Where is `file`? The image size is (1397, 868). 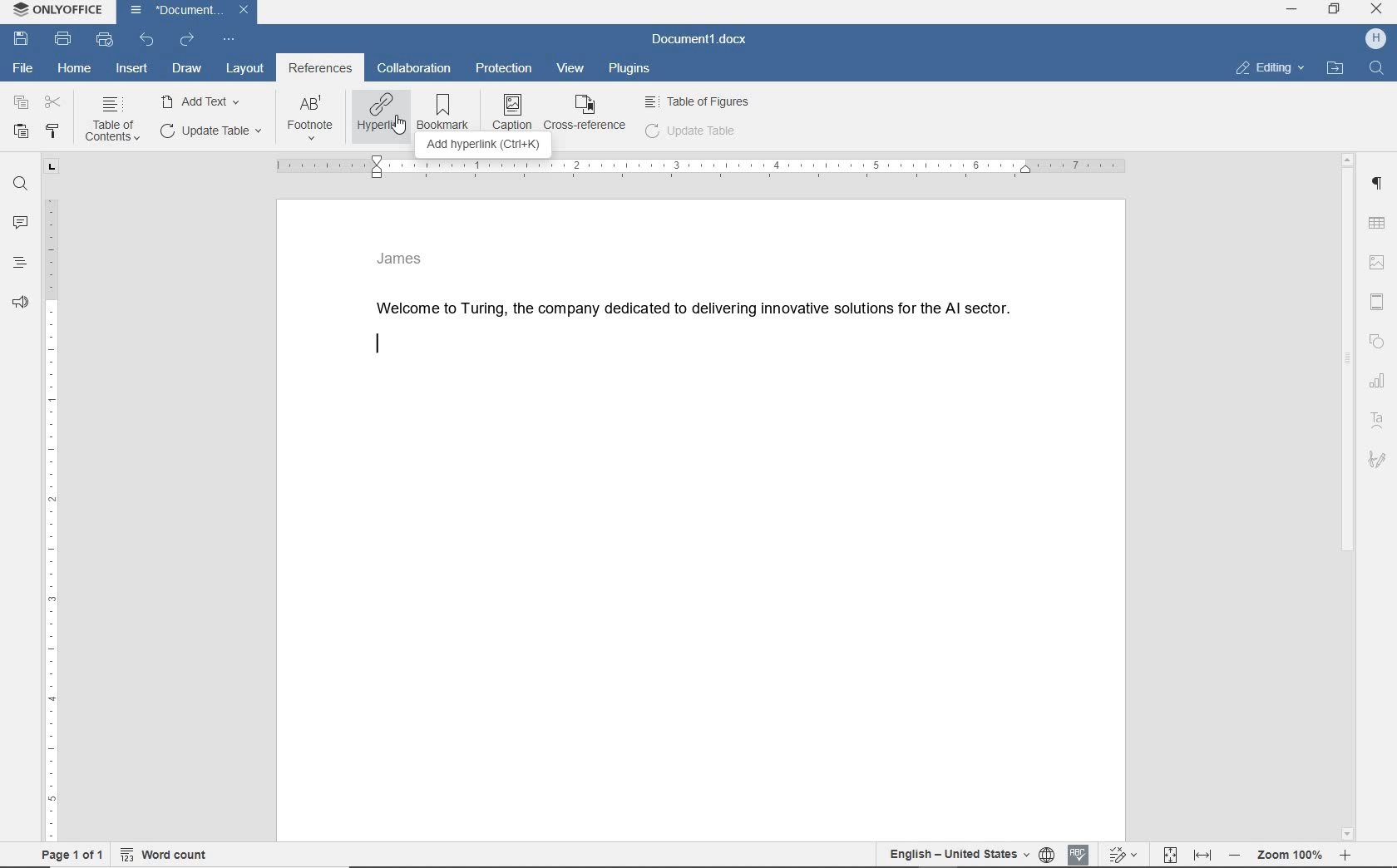
file is located at coordinates (23, 68).